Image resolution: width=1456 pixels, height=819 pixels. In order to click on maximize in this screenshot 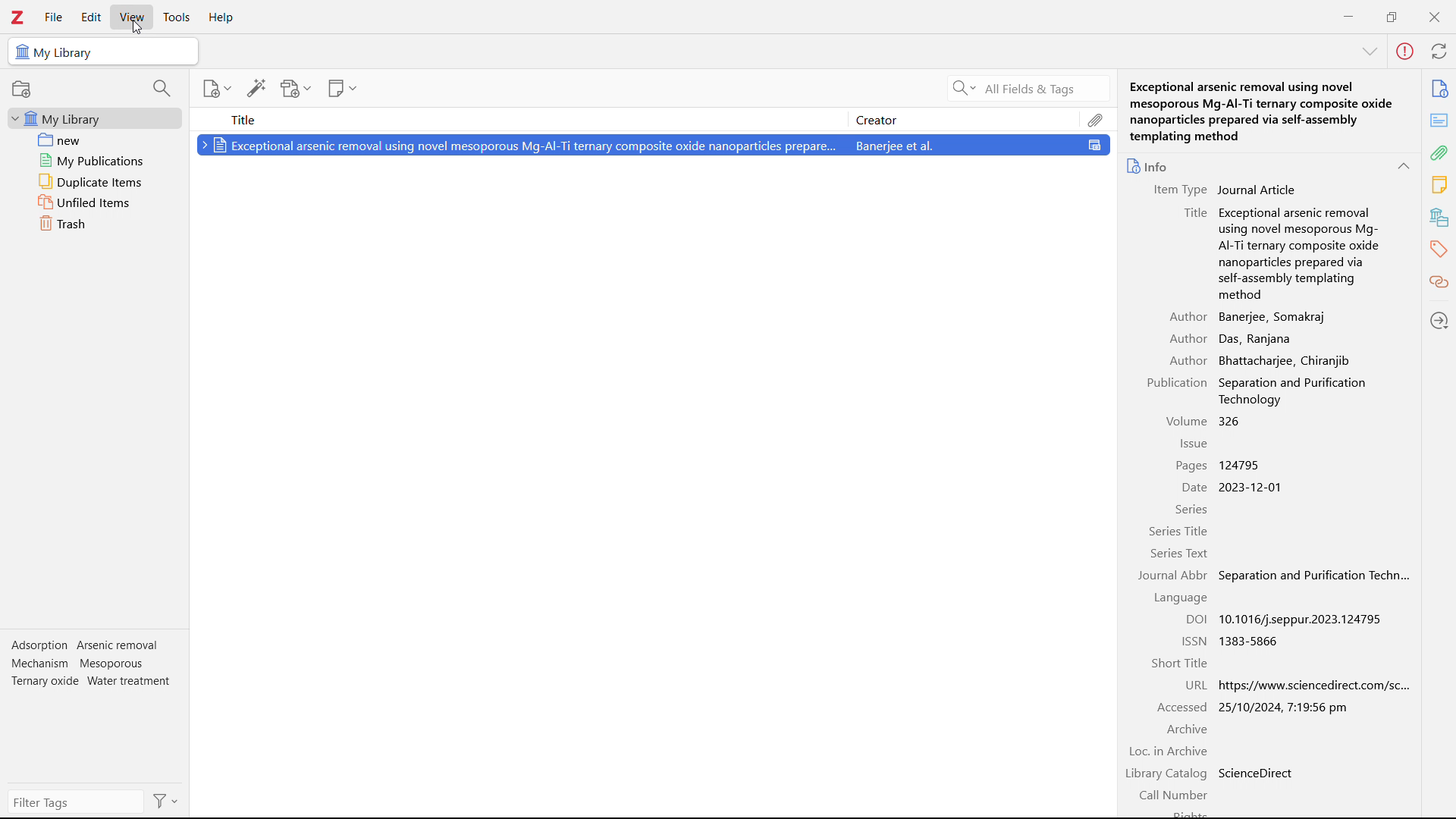, I will do `click(1392, 15)`.